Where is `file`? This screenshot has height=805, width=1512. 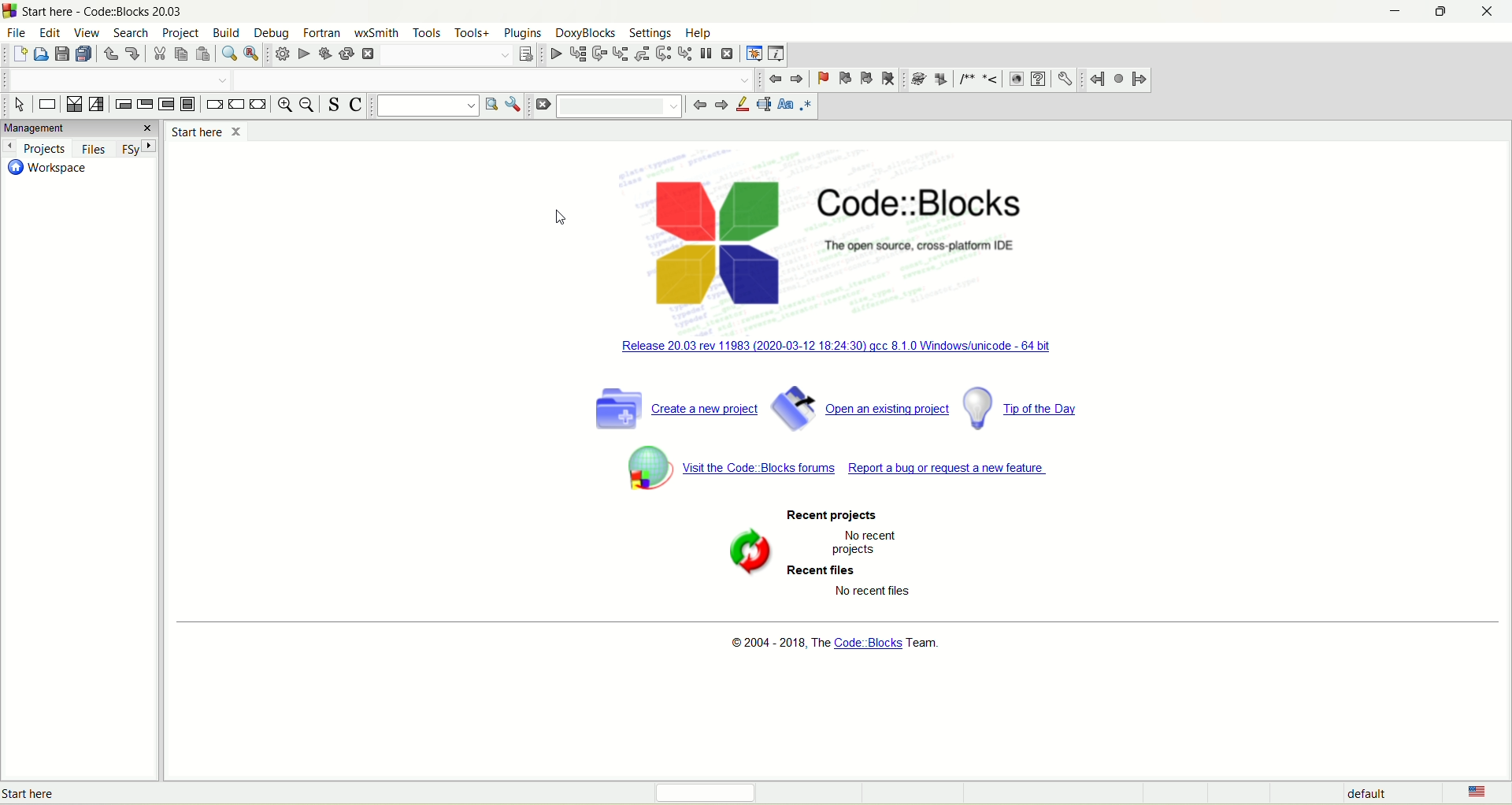 file is located at coordinates (19, 33).